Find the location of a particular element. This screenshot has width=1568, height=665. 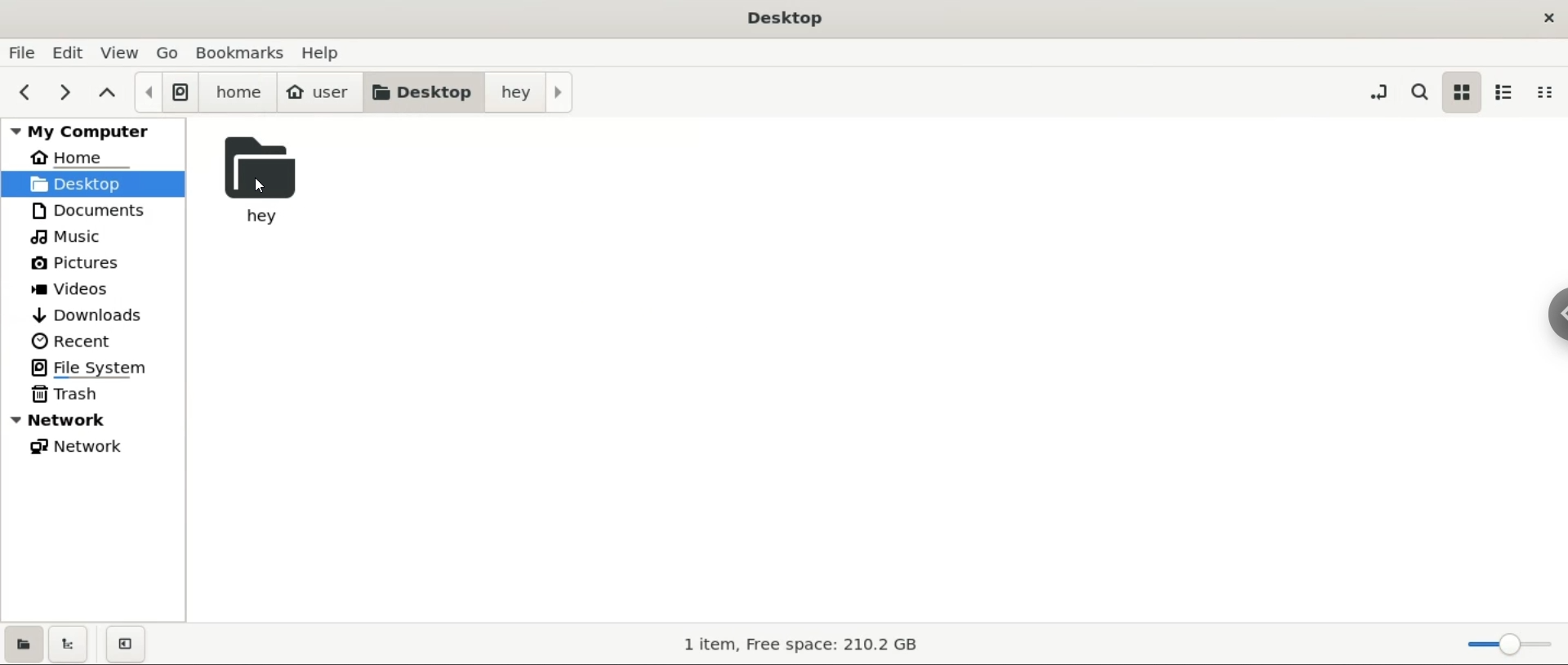

home is located at coordinates (92, 160).